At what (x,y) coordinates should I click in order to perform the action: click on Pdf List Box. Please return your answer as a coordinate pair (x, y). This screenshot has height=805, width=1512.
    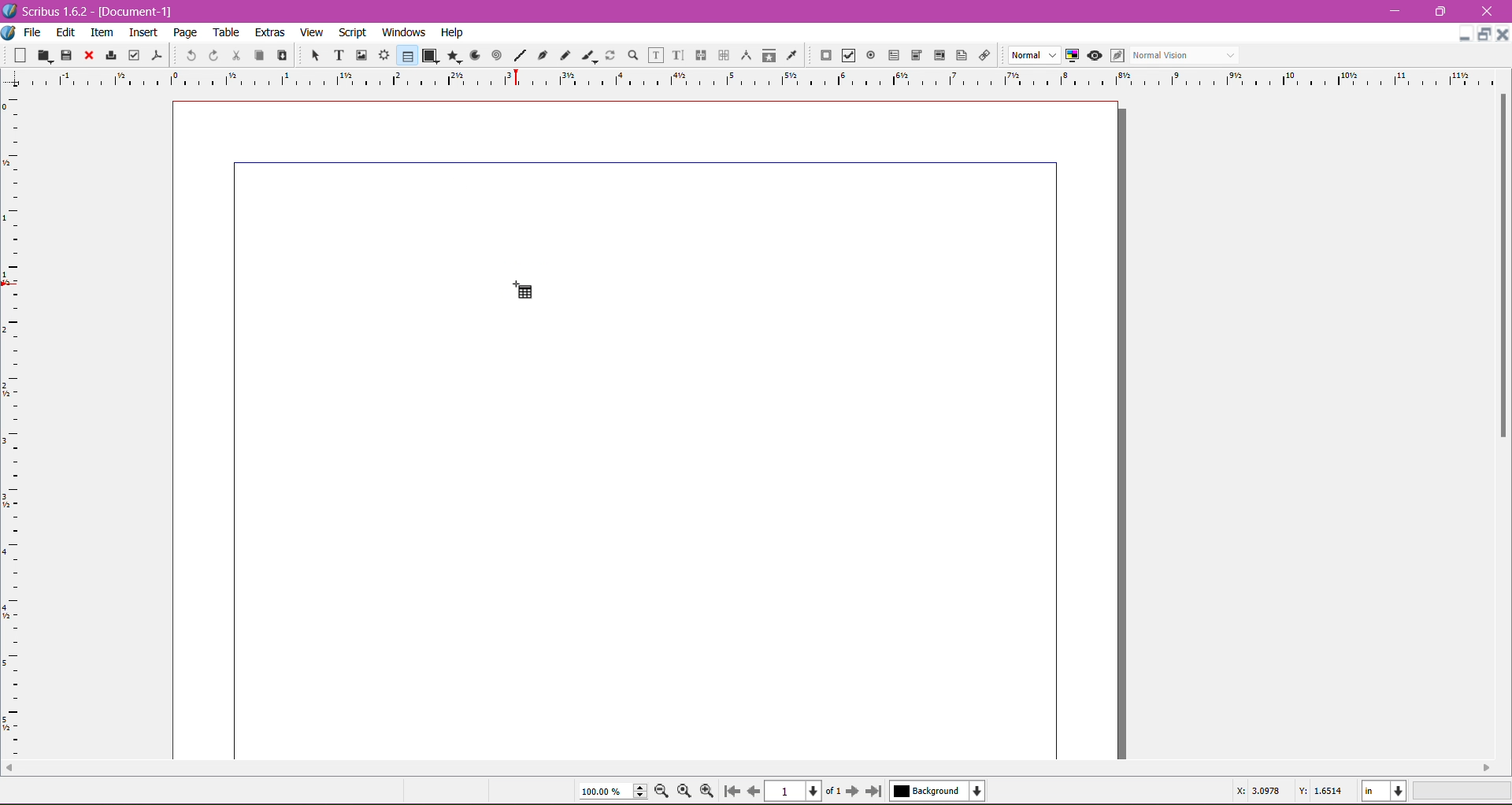
    Looking at the image, I should click on (937, 56).